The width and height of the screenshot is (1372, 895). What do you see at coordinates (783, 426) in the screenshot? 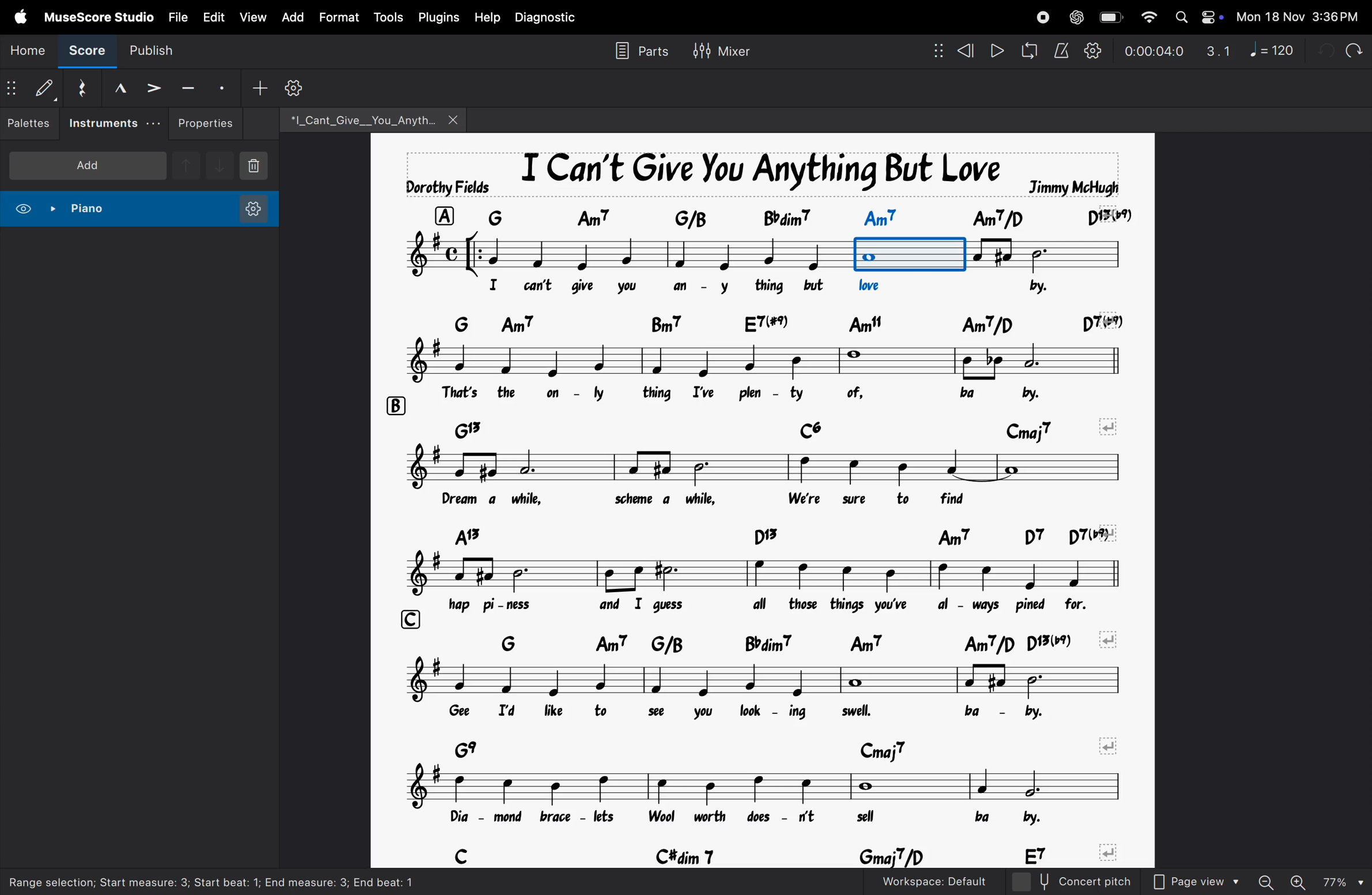
I see `chord symbols` at bounding box center [783, 426].